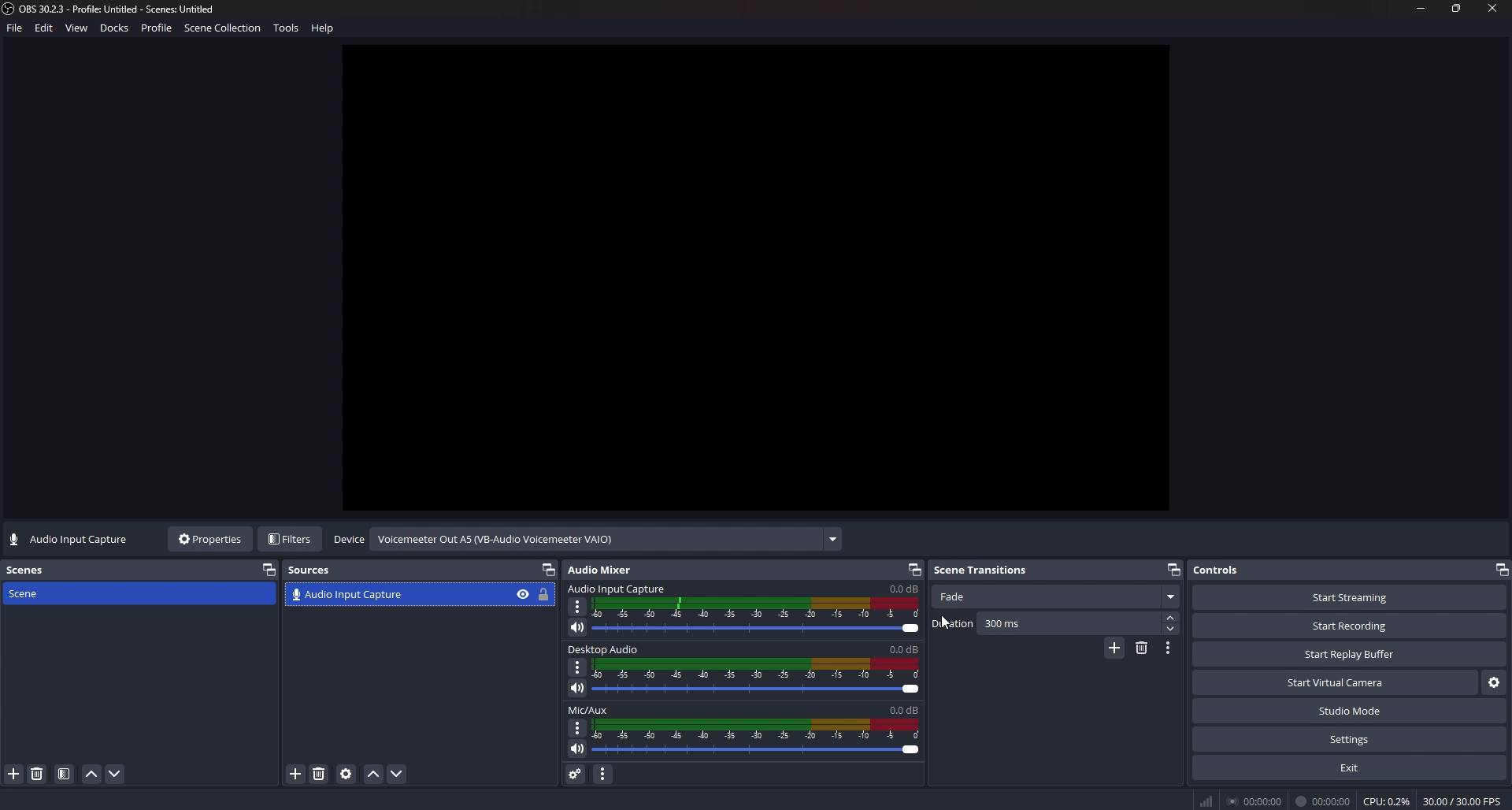 This screenshot has height=810, width=1512. What do you see at coordinates (606, 587) in the screenshot?
I see `desktop audio` at bounding box center [606, 587].